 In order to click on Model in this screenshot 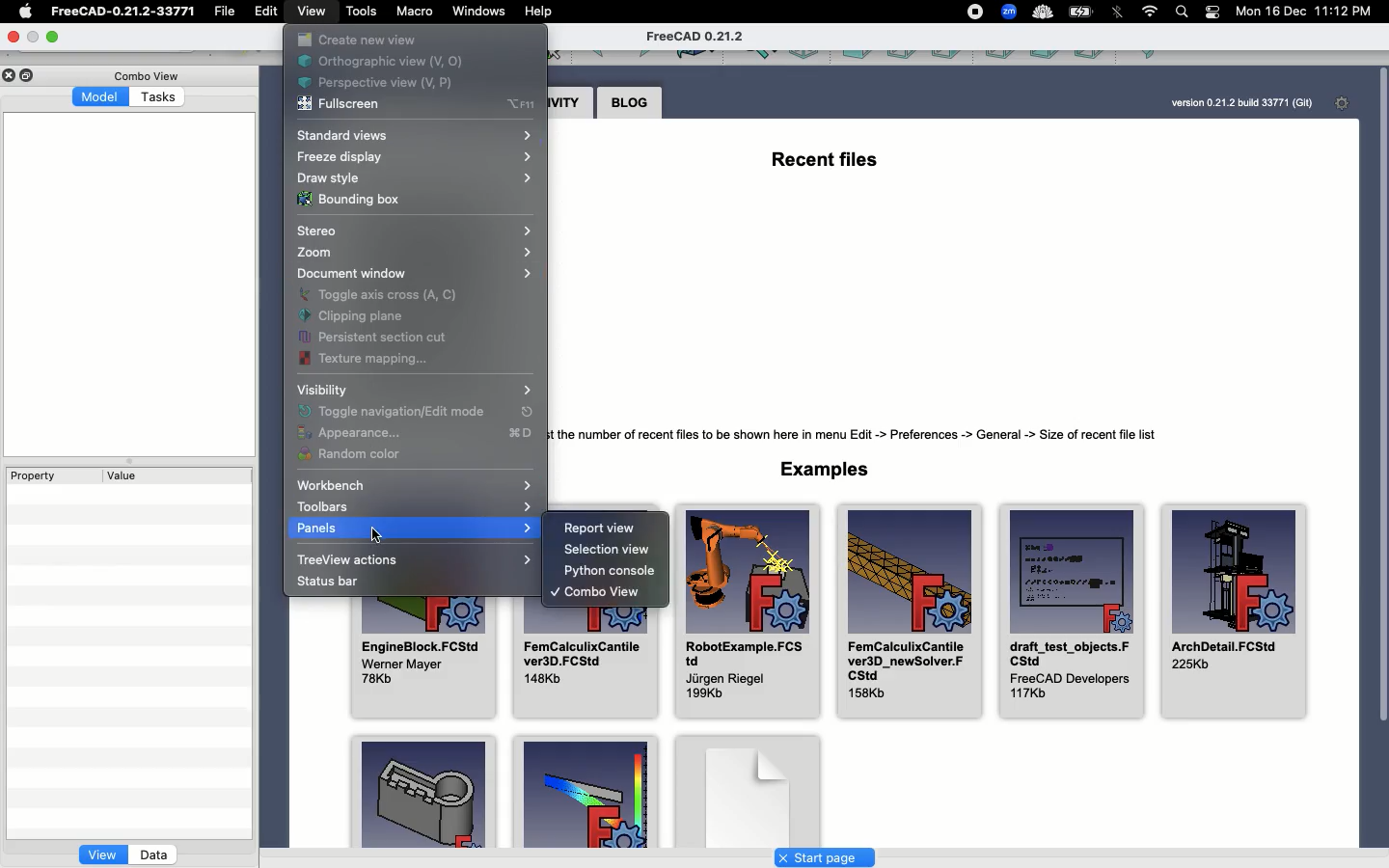, I will do `click(101, 98)`.